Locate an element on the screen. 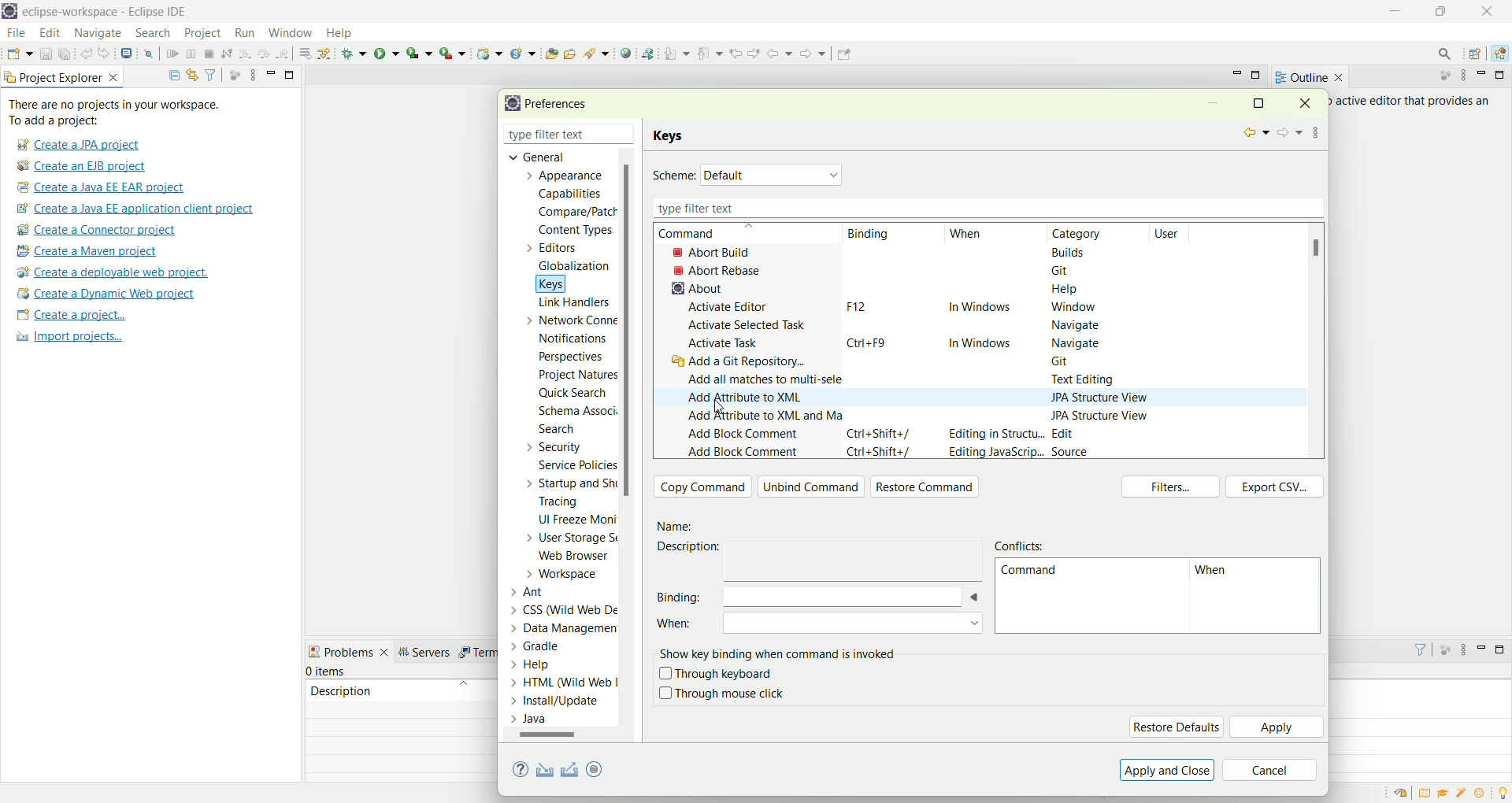  drop to frames is located at coordinates (306, 54).